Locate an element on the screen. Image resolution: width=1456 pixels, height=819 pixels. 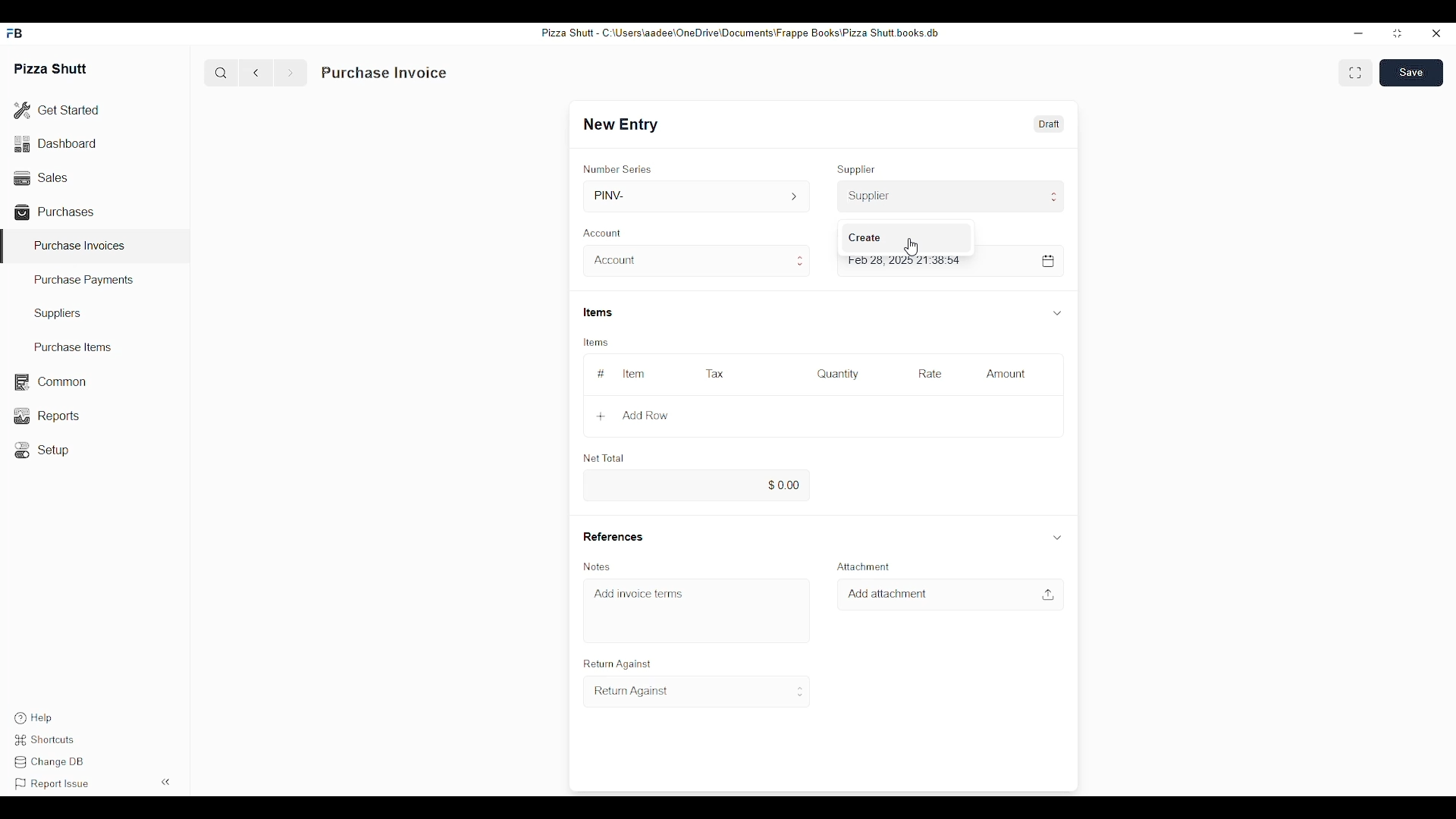
Purchase Payments is located at coordinates (85, 281).